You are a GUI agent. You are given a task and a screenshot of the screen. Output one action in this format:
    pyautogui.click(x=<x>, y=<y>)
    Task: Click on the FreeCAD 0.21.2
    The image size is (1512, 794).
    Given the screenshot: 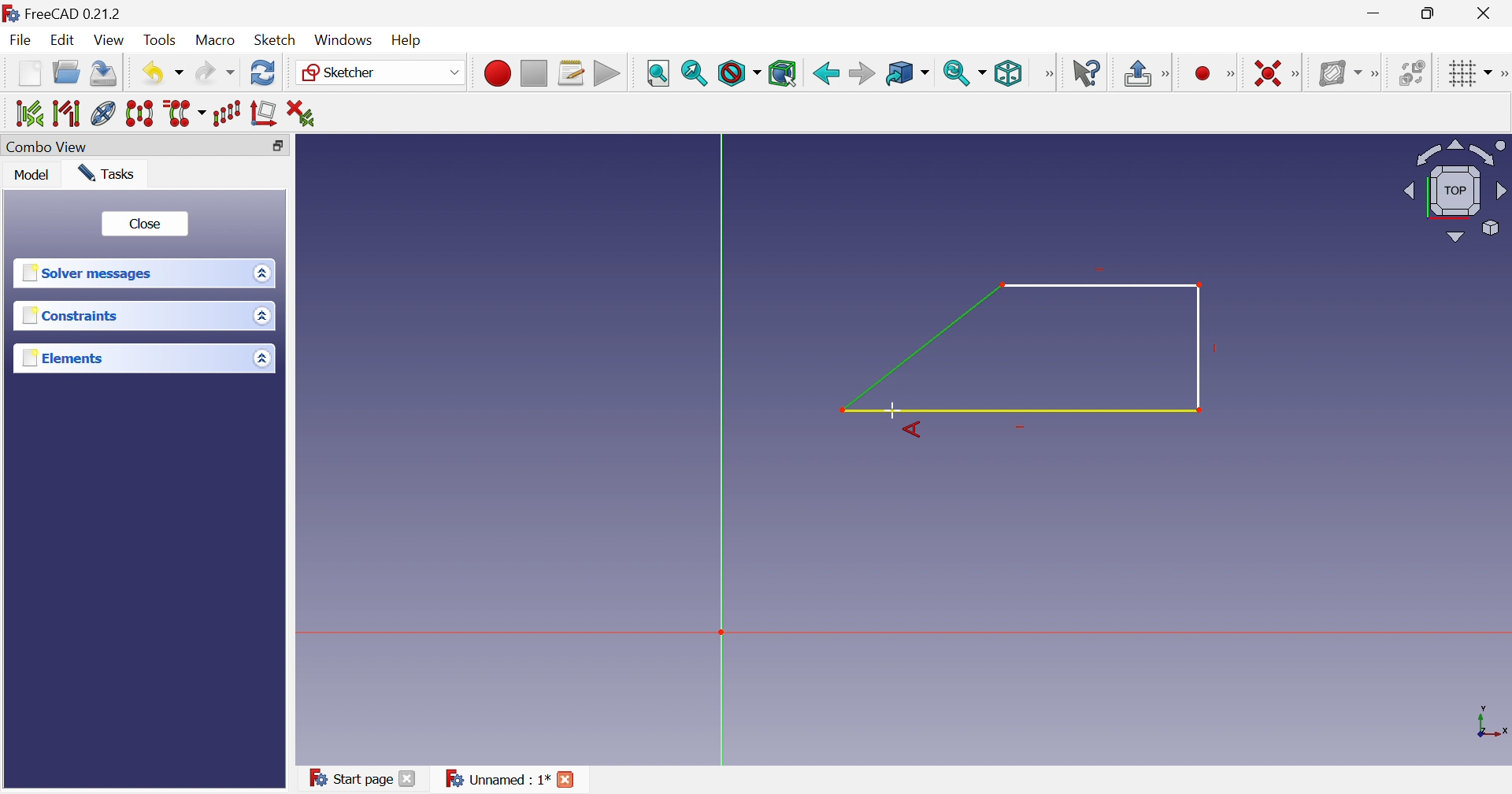 What is the action you would take?
    pyautogui.click(x=67, y=12)
    